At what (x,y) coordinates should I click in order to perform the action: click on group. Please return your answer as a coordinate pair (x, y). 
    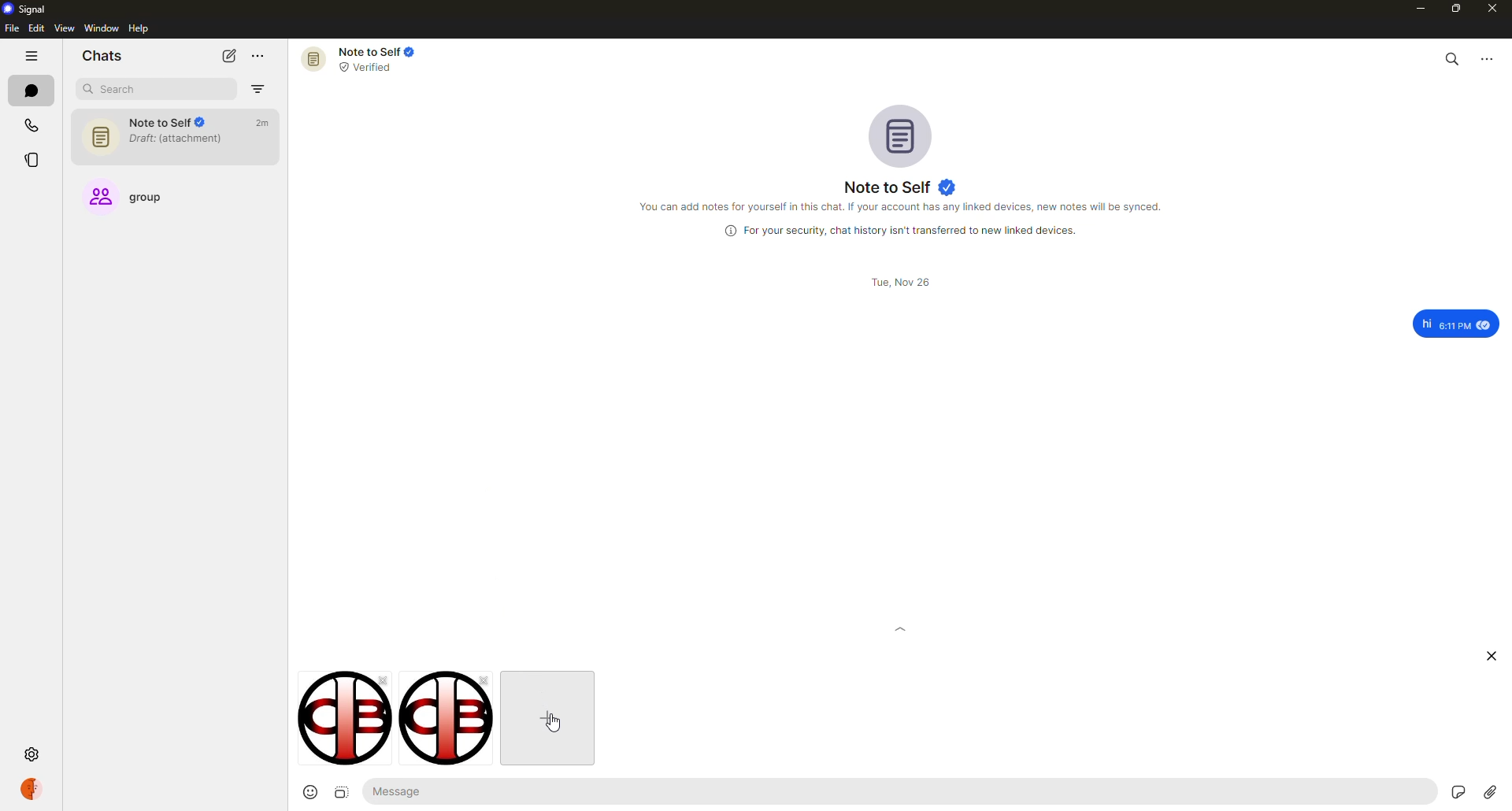
    Looking at the image, I should click on (137, 195).